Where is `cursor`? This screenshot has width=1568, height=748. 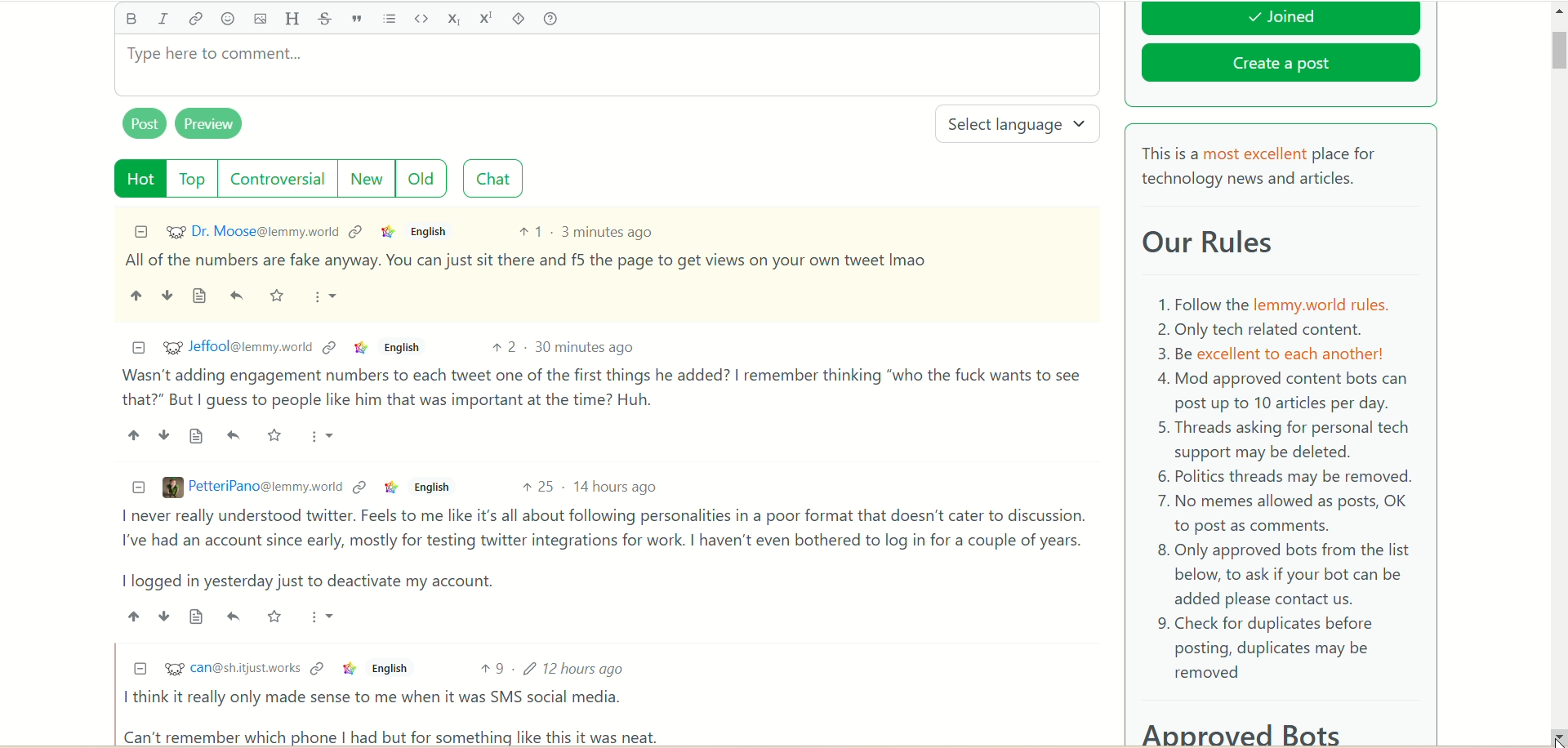
cursor is located at coordinates (1555, 733).